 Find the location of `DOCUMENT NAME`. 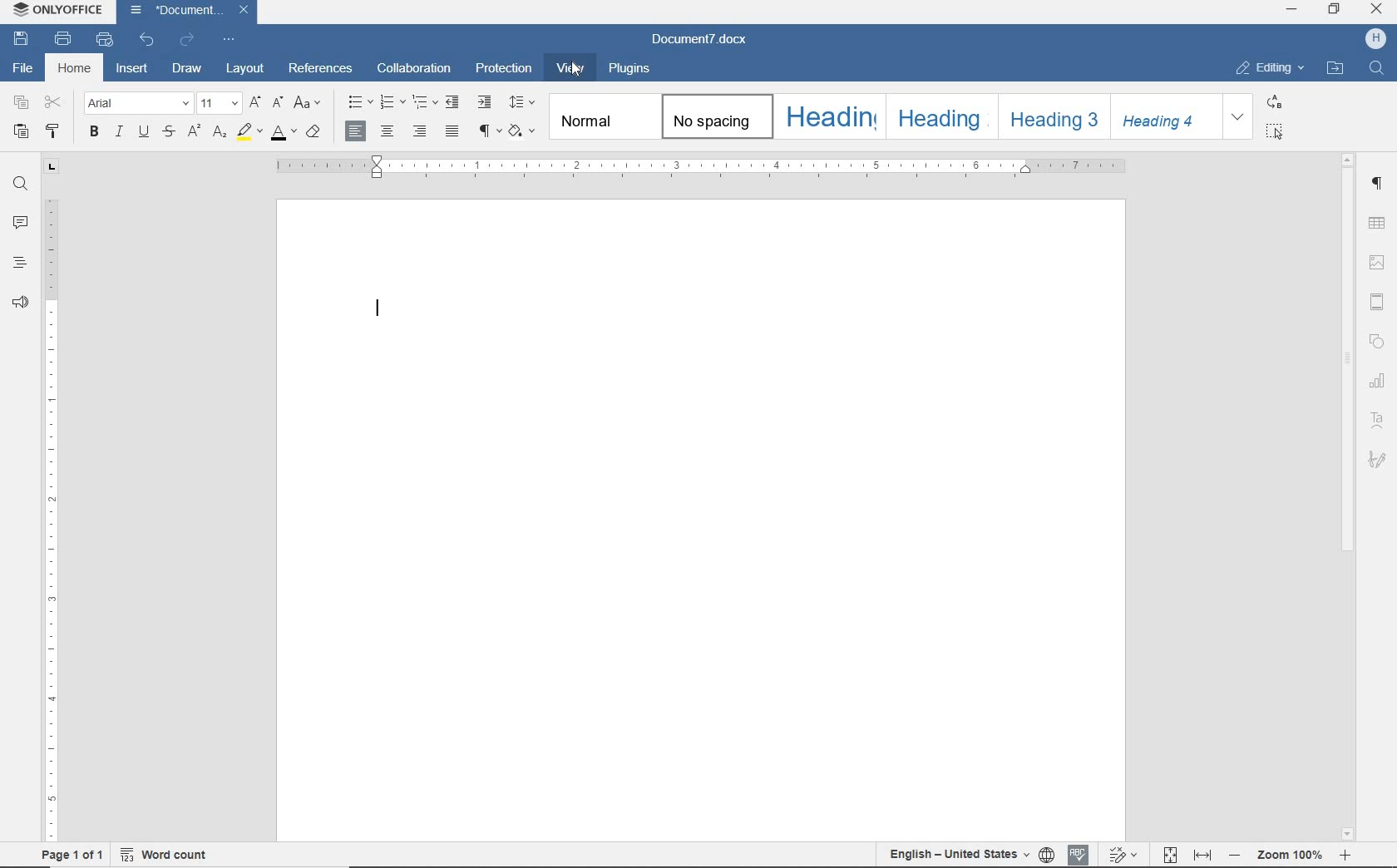

DOCUMENT NAME is located at coordinates (190, 11).